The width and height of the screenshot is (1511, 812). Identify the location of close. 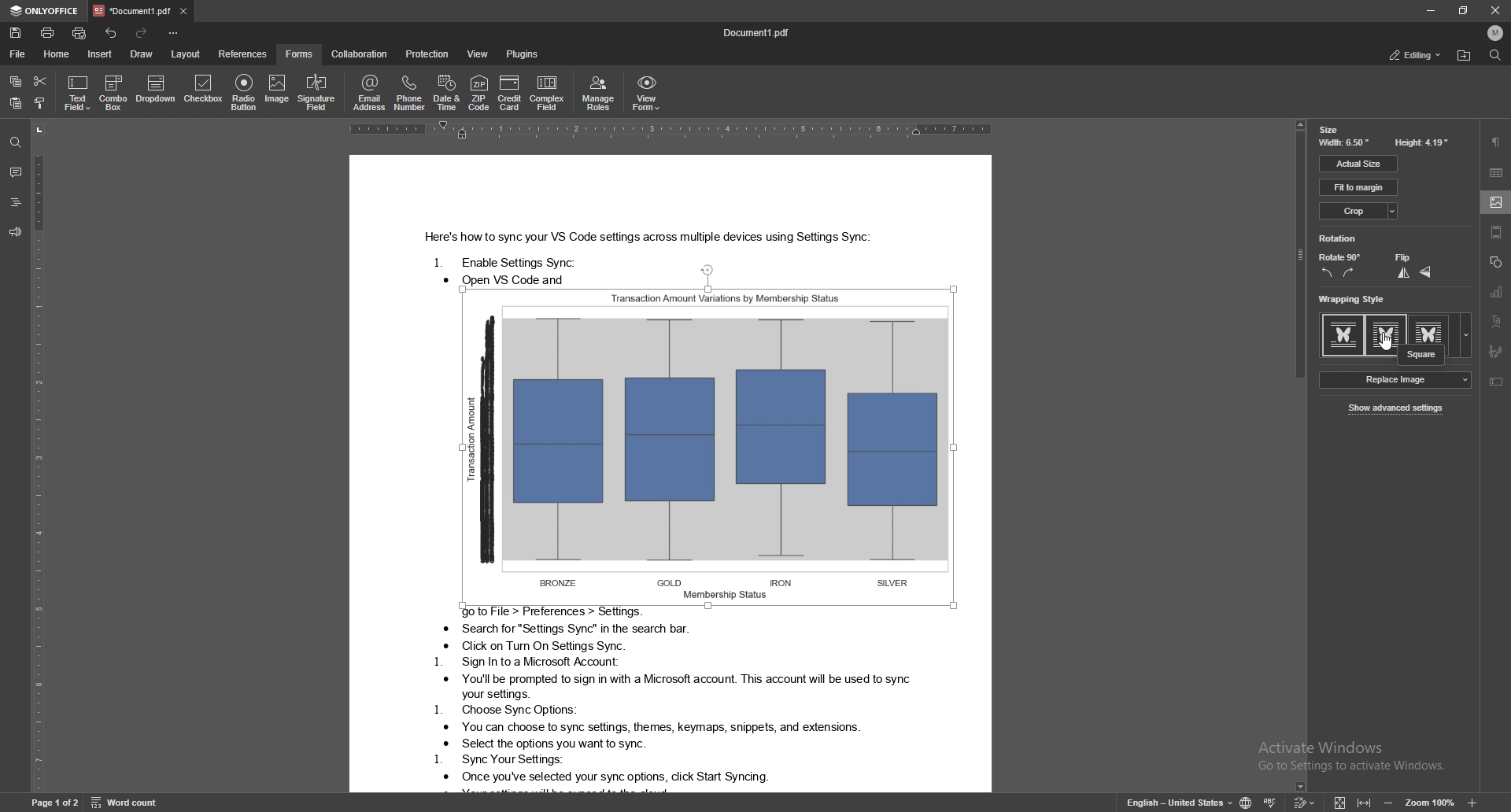
(1494, 10).